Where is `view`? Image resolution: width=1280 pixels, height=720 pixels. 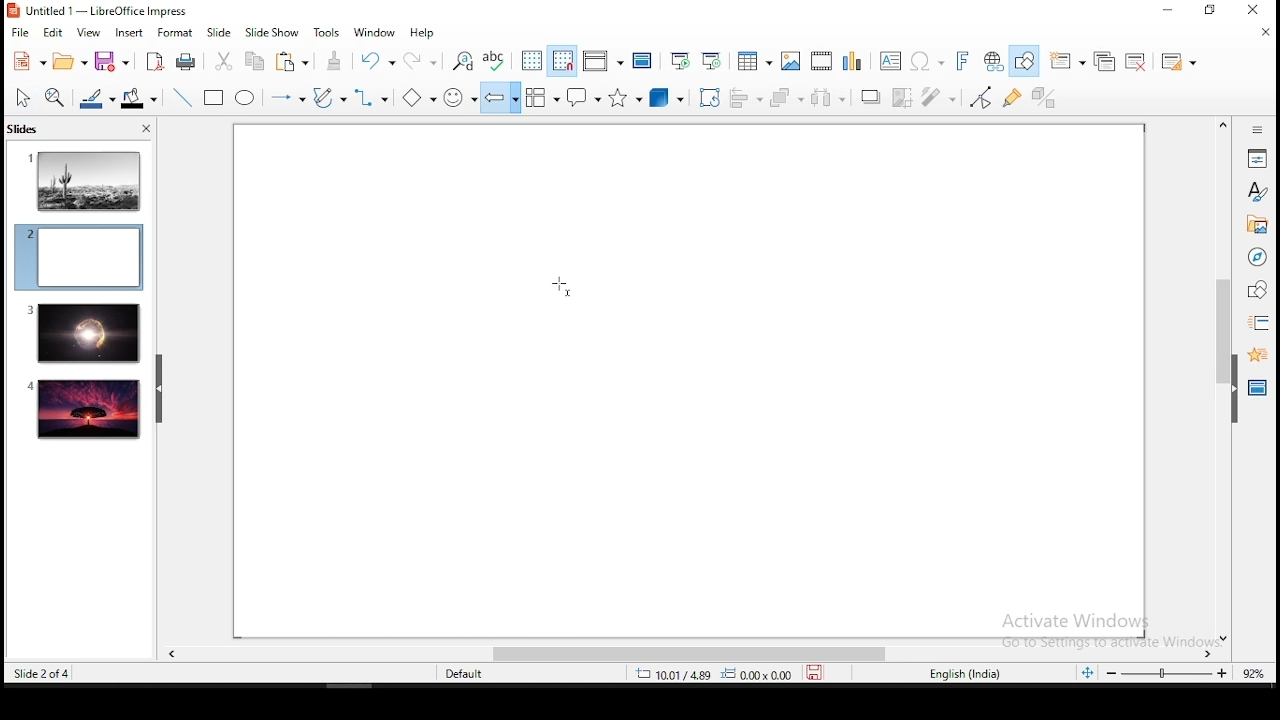
view is located at coordinates (89, 31).